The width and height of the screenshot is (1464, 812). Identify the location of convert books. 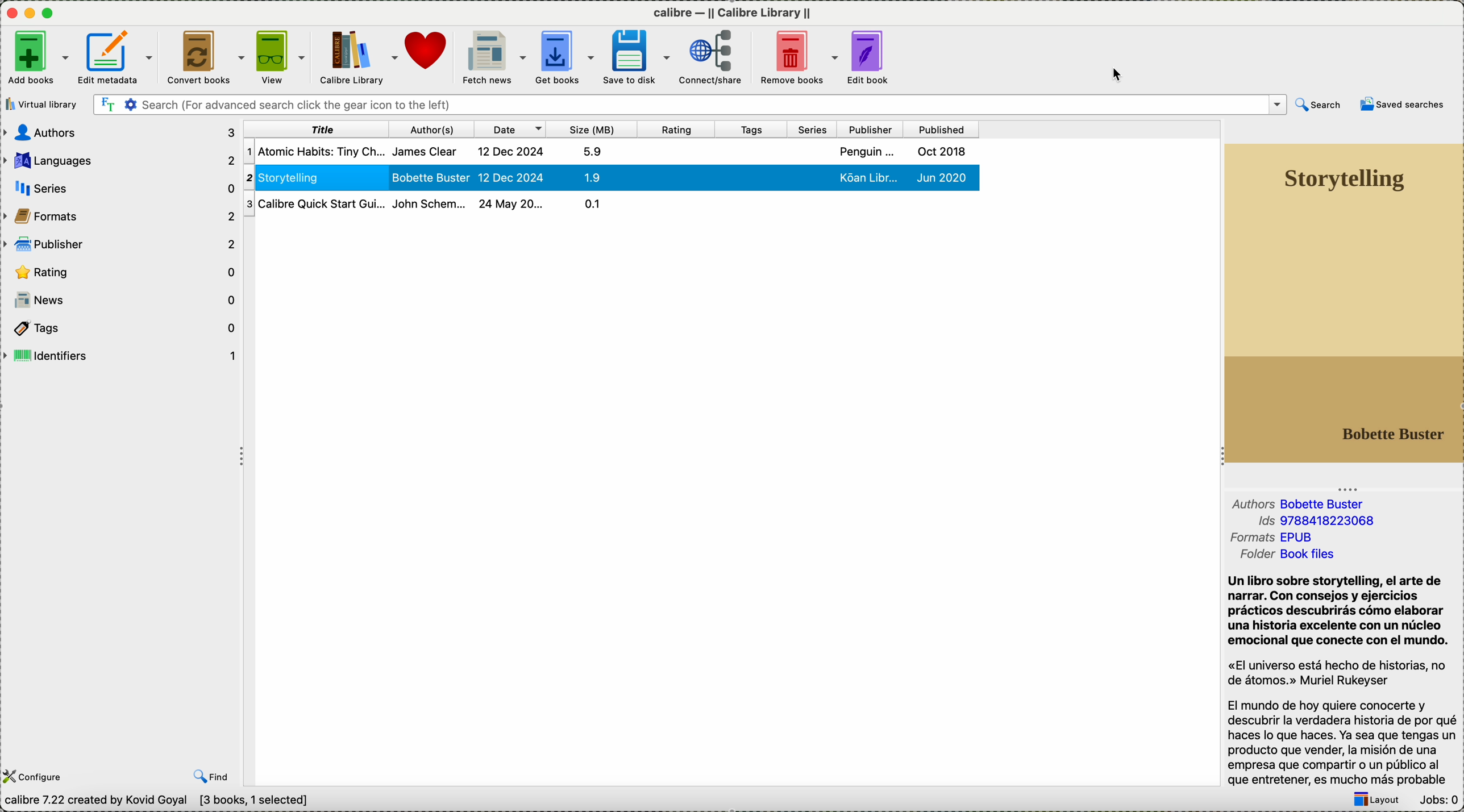
(207, 59).